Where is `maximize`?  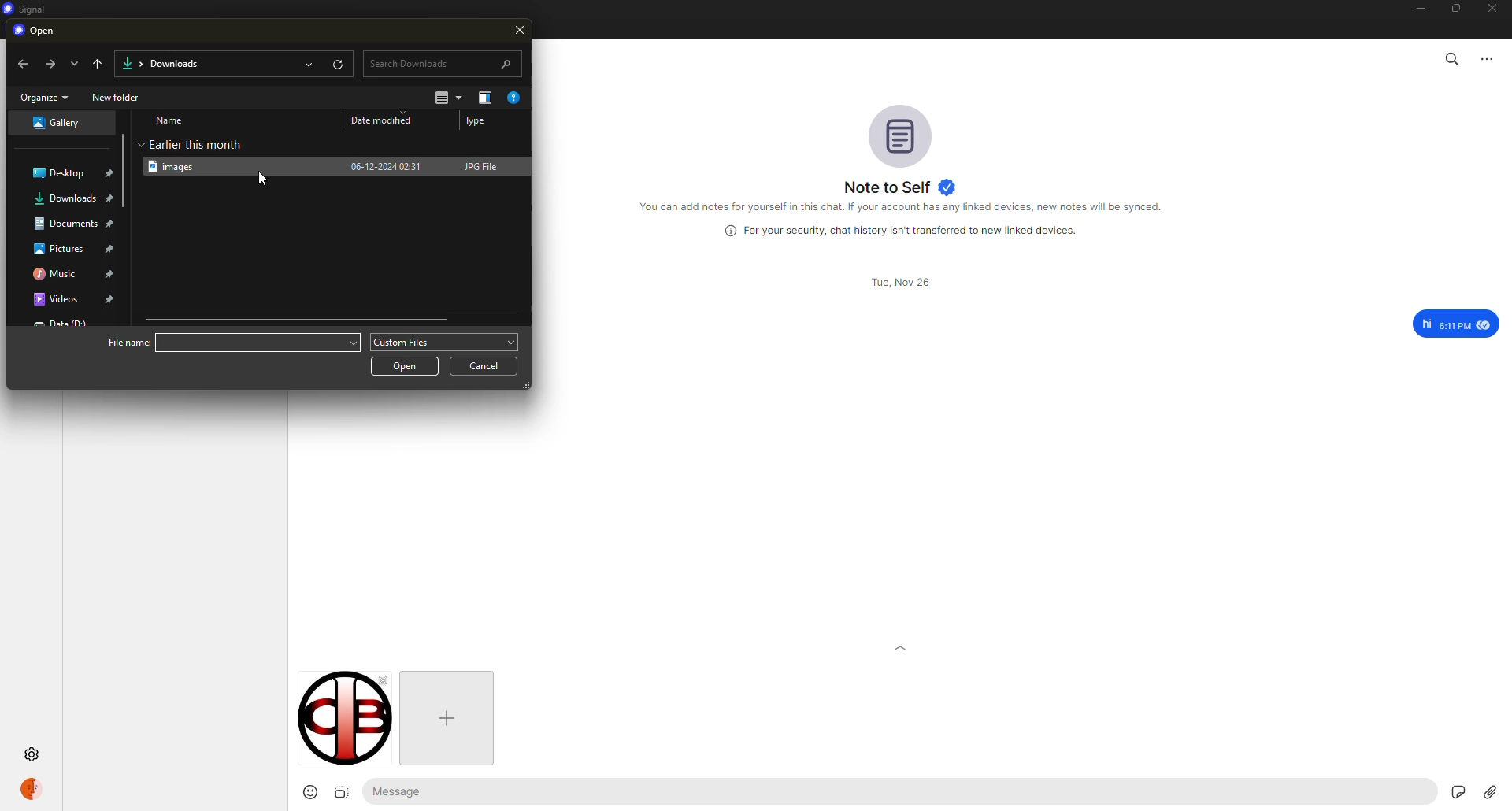 maximize is located at coordinates (1456, 12).